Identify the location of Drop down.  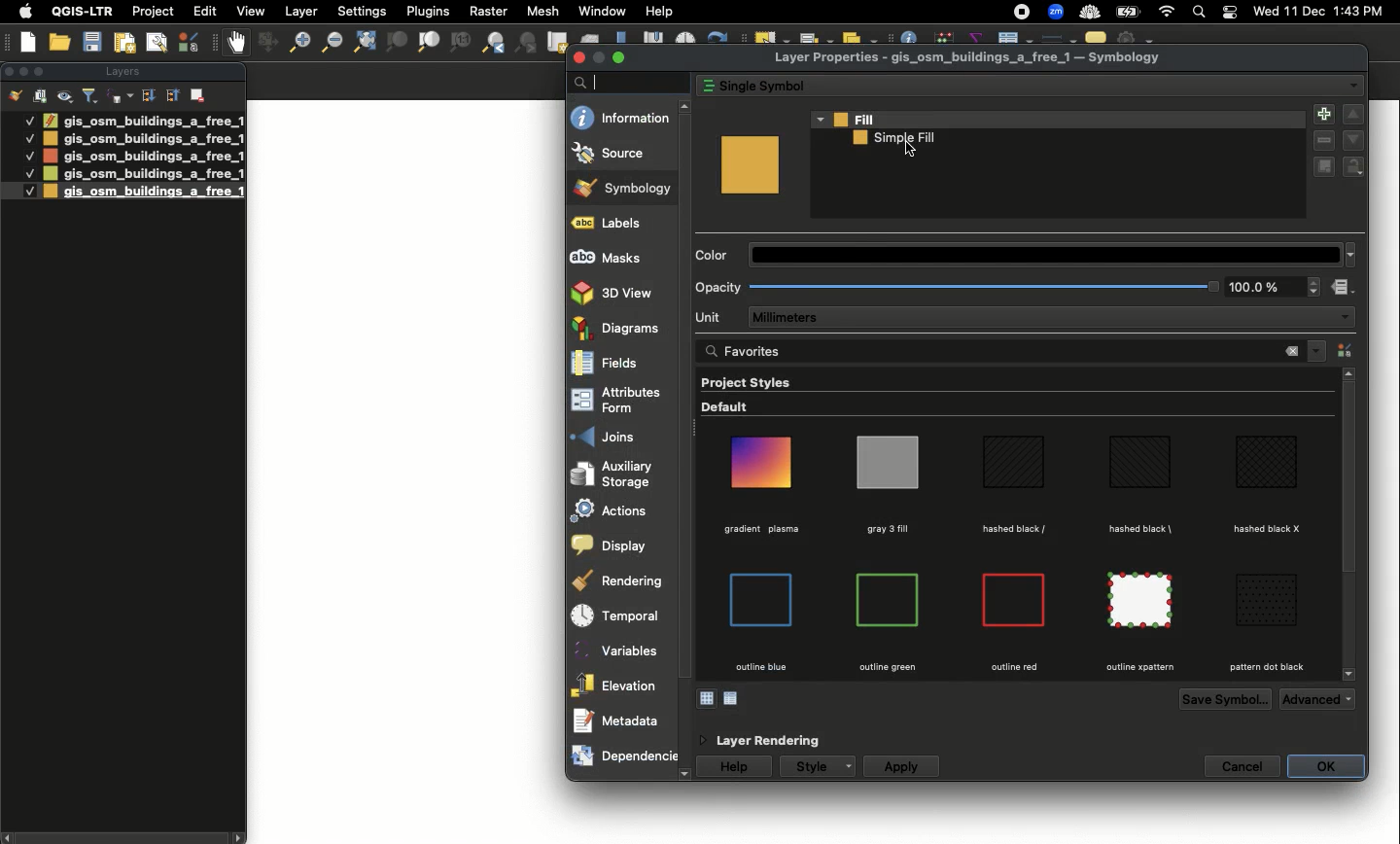
(1351, 254).